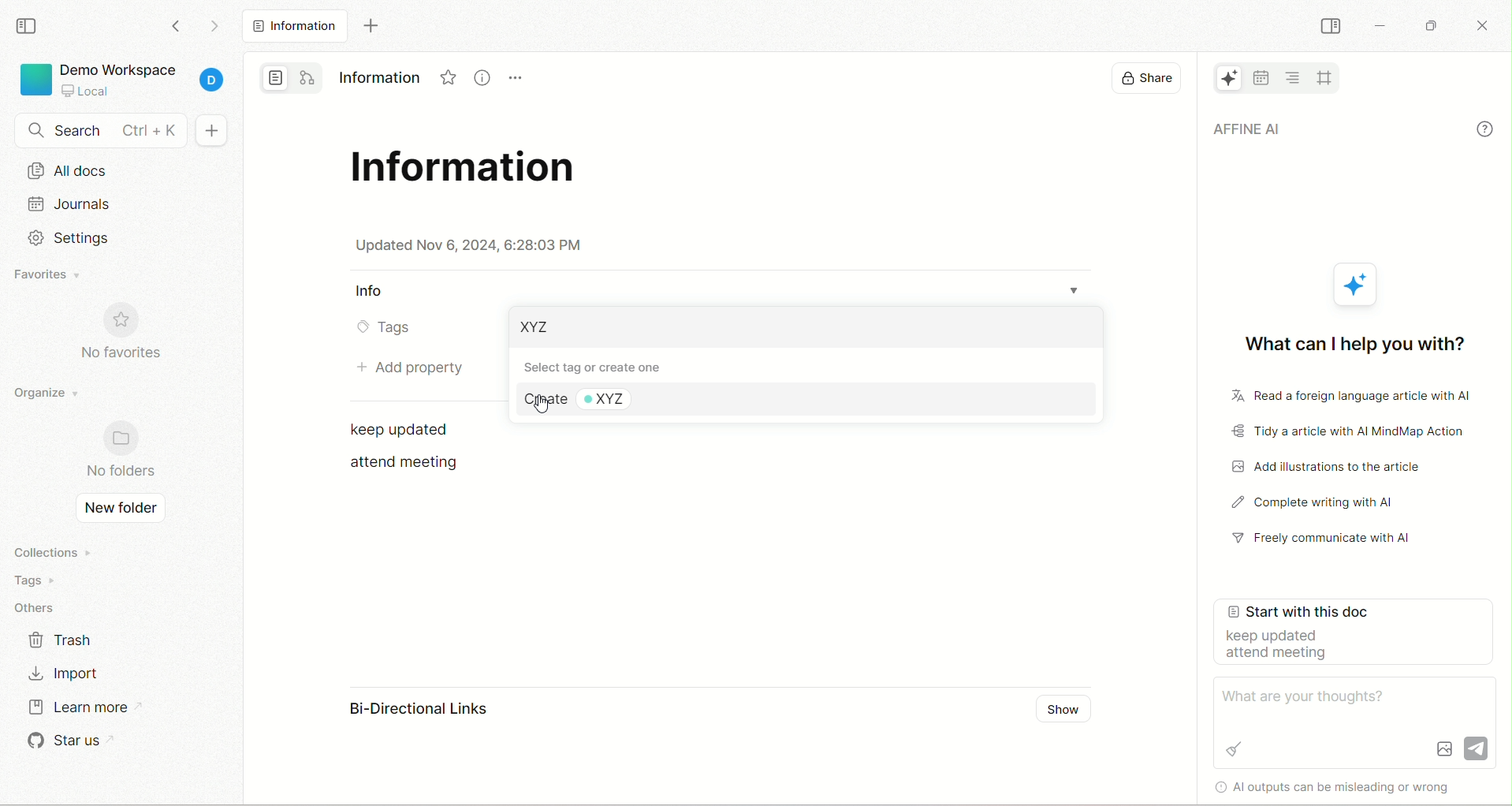  What do you see at coordinates (624, 400) in the screenshot?
I see `XYZ` at bounding box center [624, 400].